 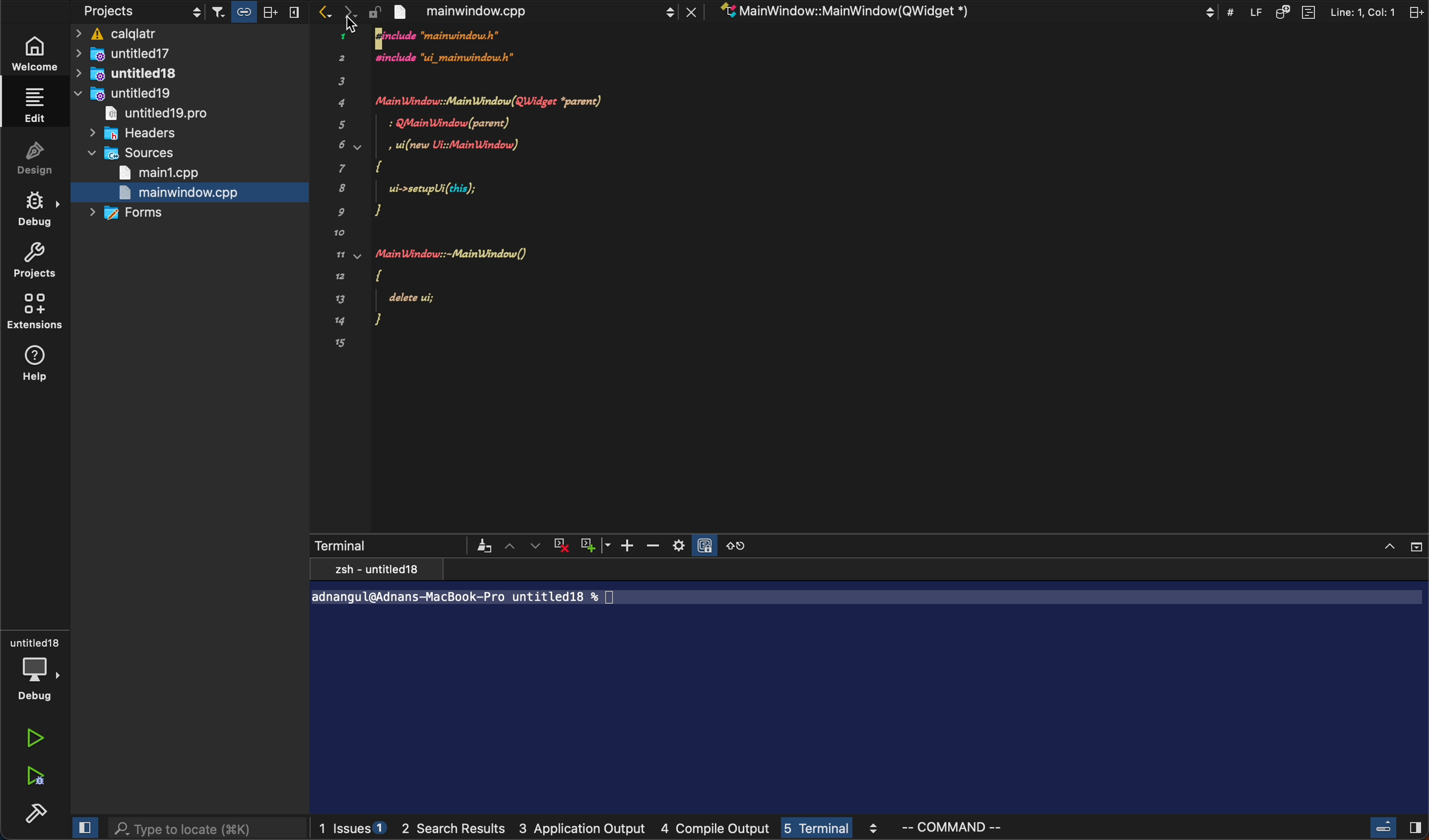 I want to click on projects, so click(x=39, y=258).